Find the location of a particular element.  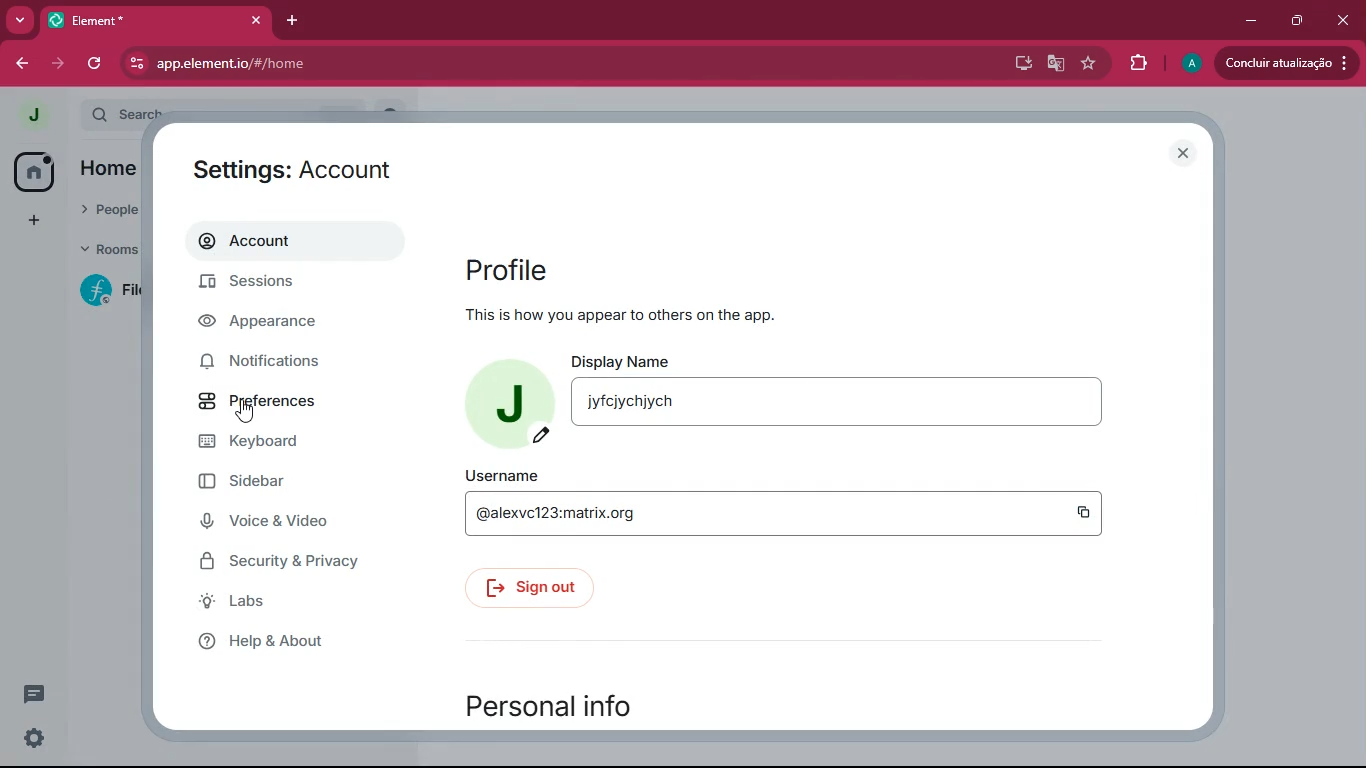

labs is located at coordinates (304, 606).